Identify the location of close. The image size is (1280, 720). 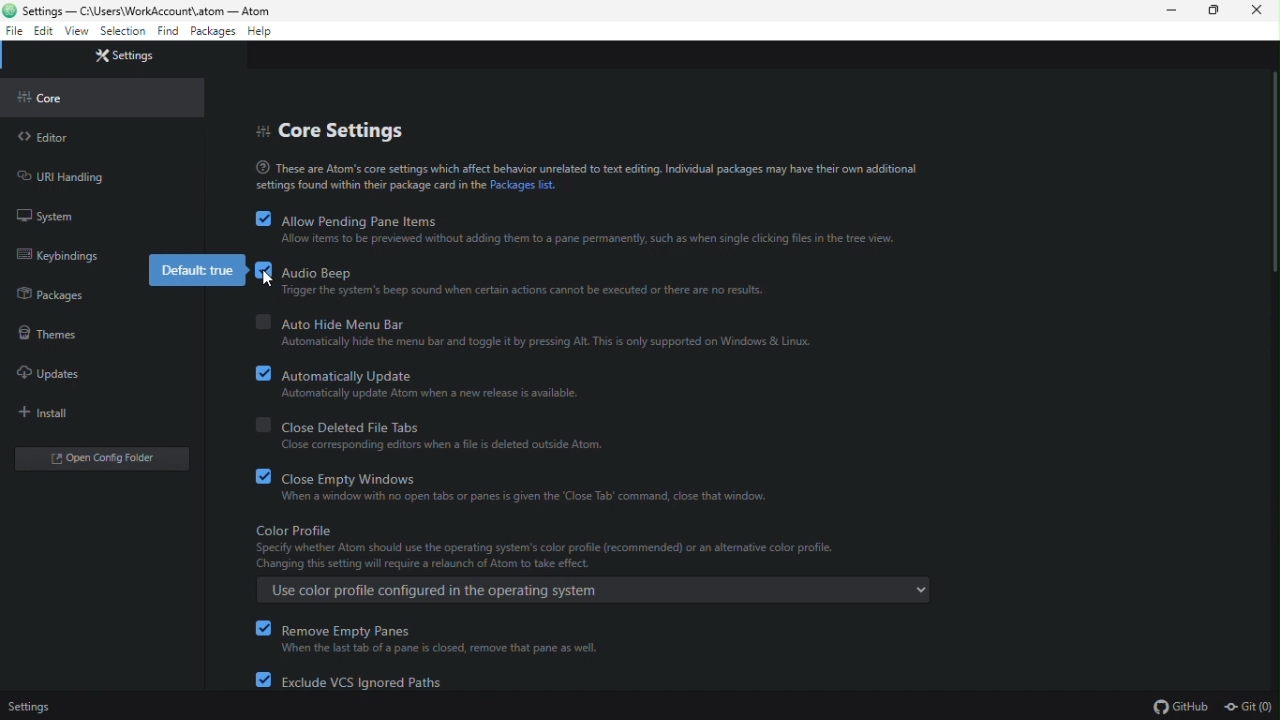
(1262, 13).